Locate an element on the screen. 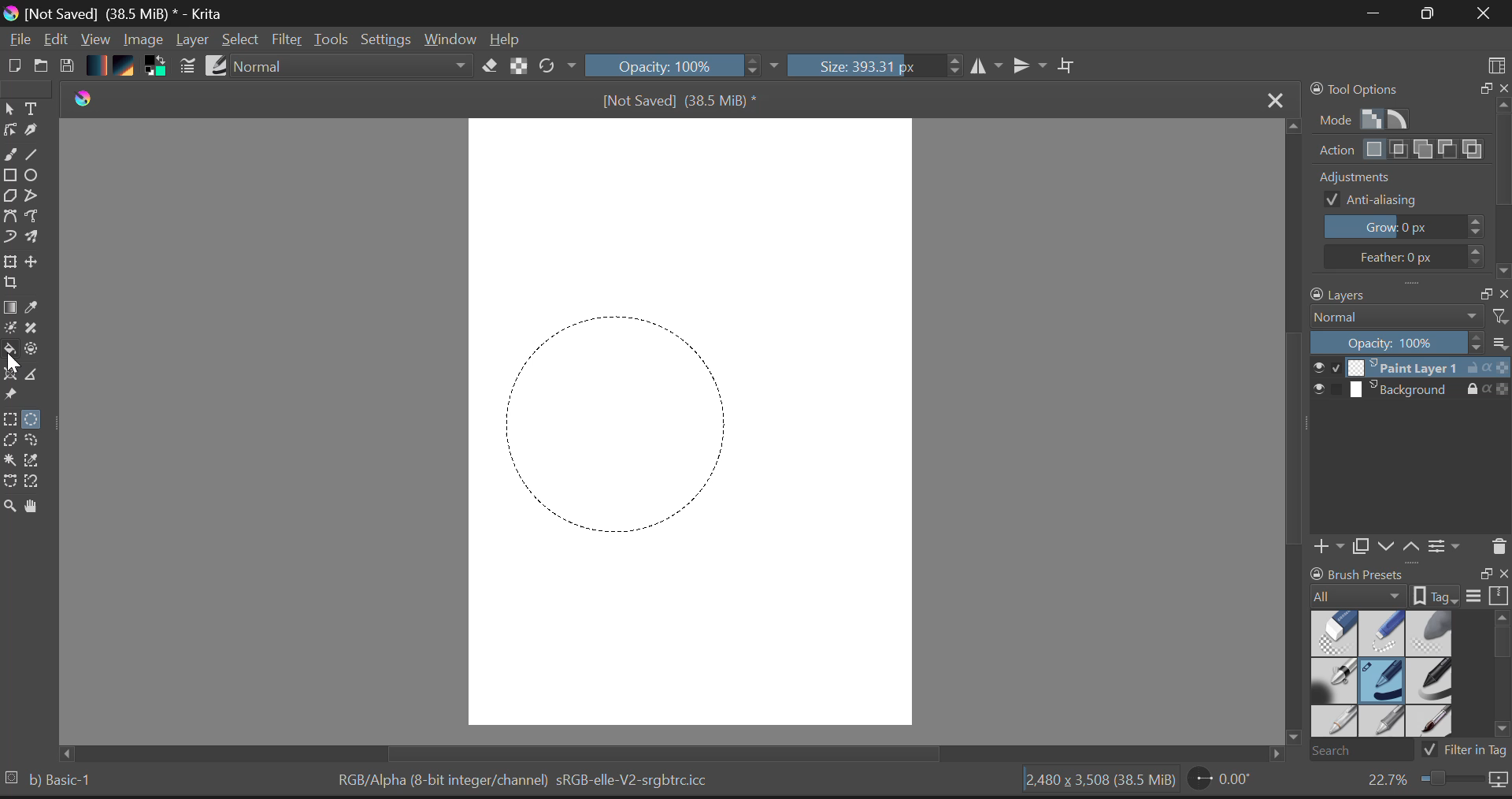 This screenshot has width=1512, height=799. Select is located at coordinates (243, 40).